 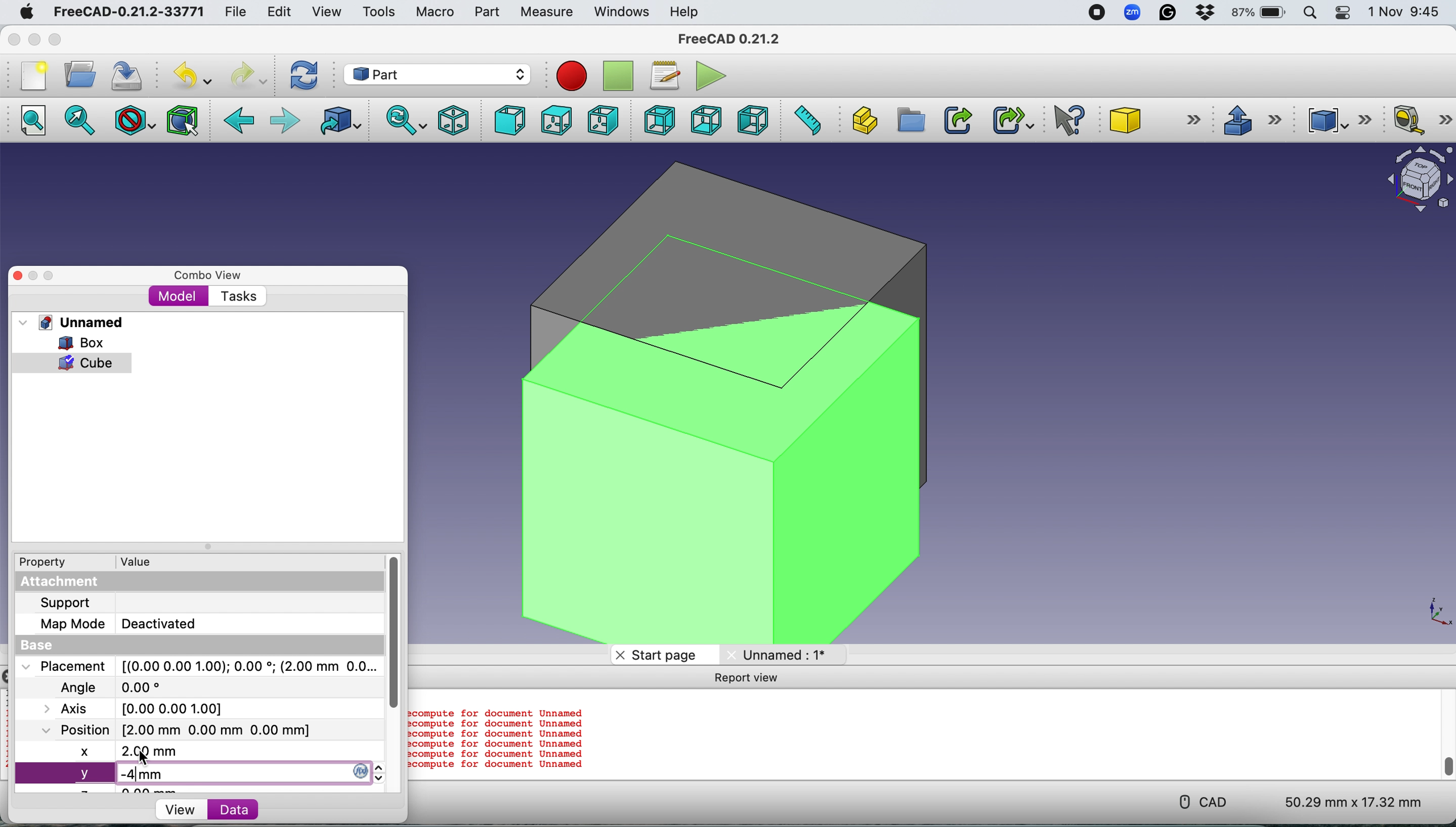 What do you see at coordinates (656, 120) in the screenshot?
I see `Rear` at bounding box center [656, 120].